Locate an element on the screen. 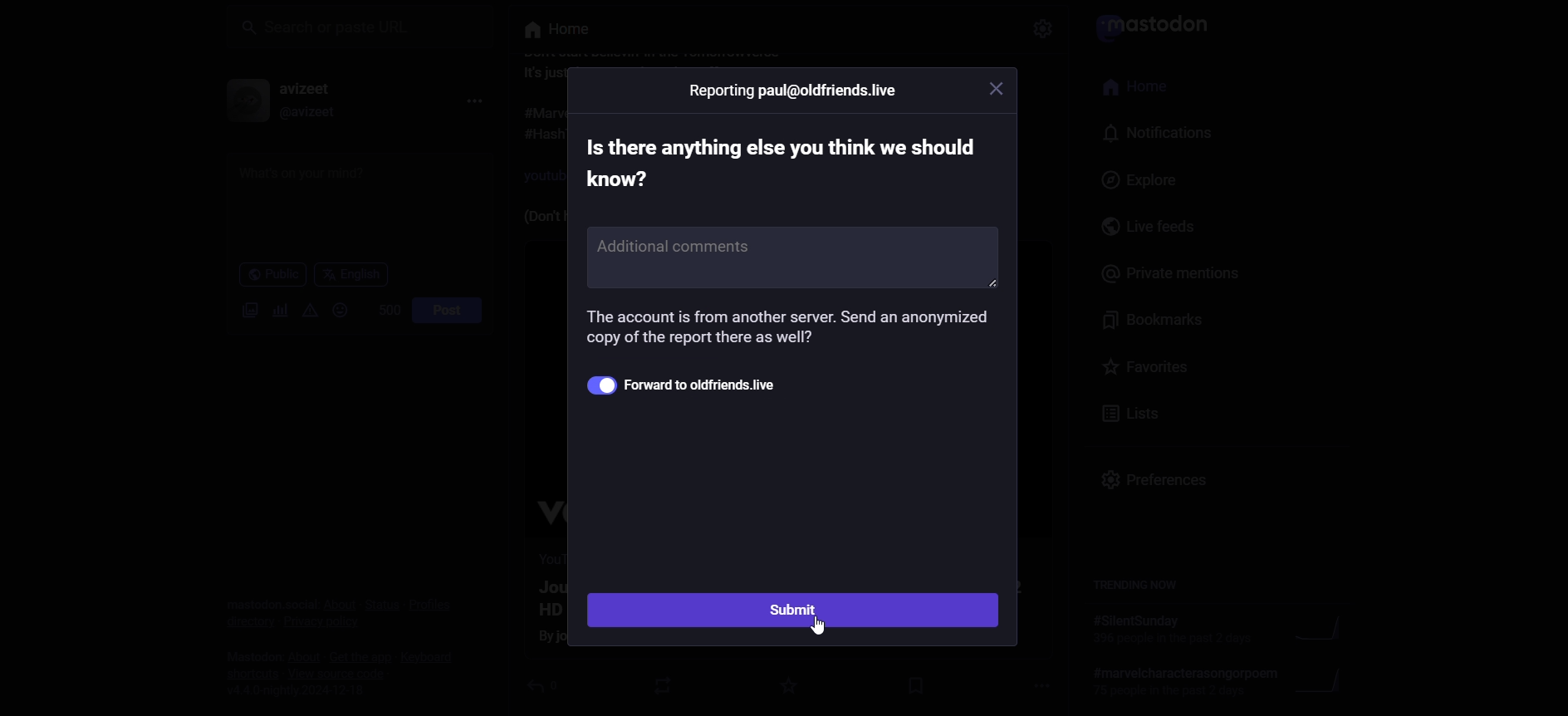 Image resolution: width=1568 pixels, height=716 pixels.  is located at coordinates (1042, 25).